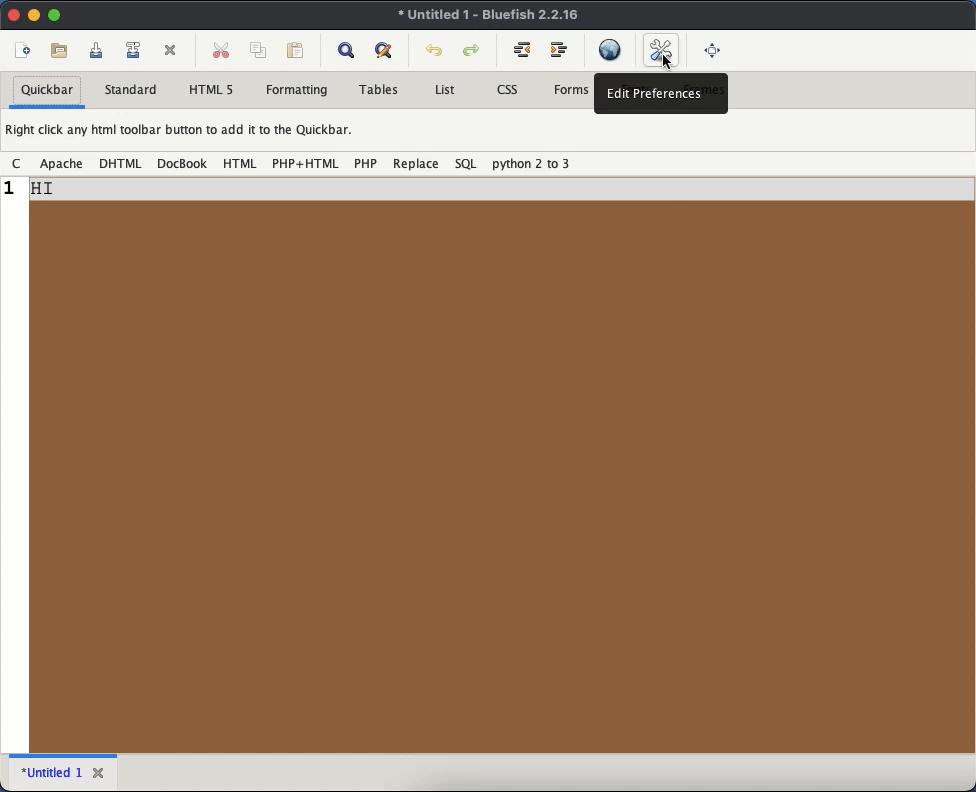  Describe the element at coordinates (658, 94) in the screenshot. I see `edit preferences` at that location.